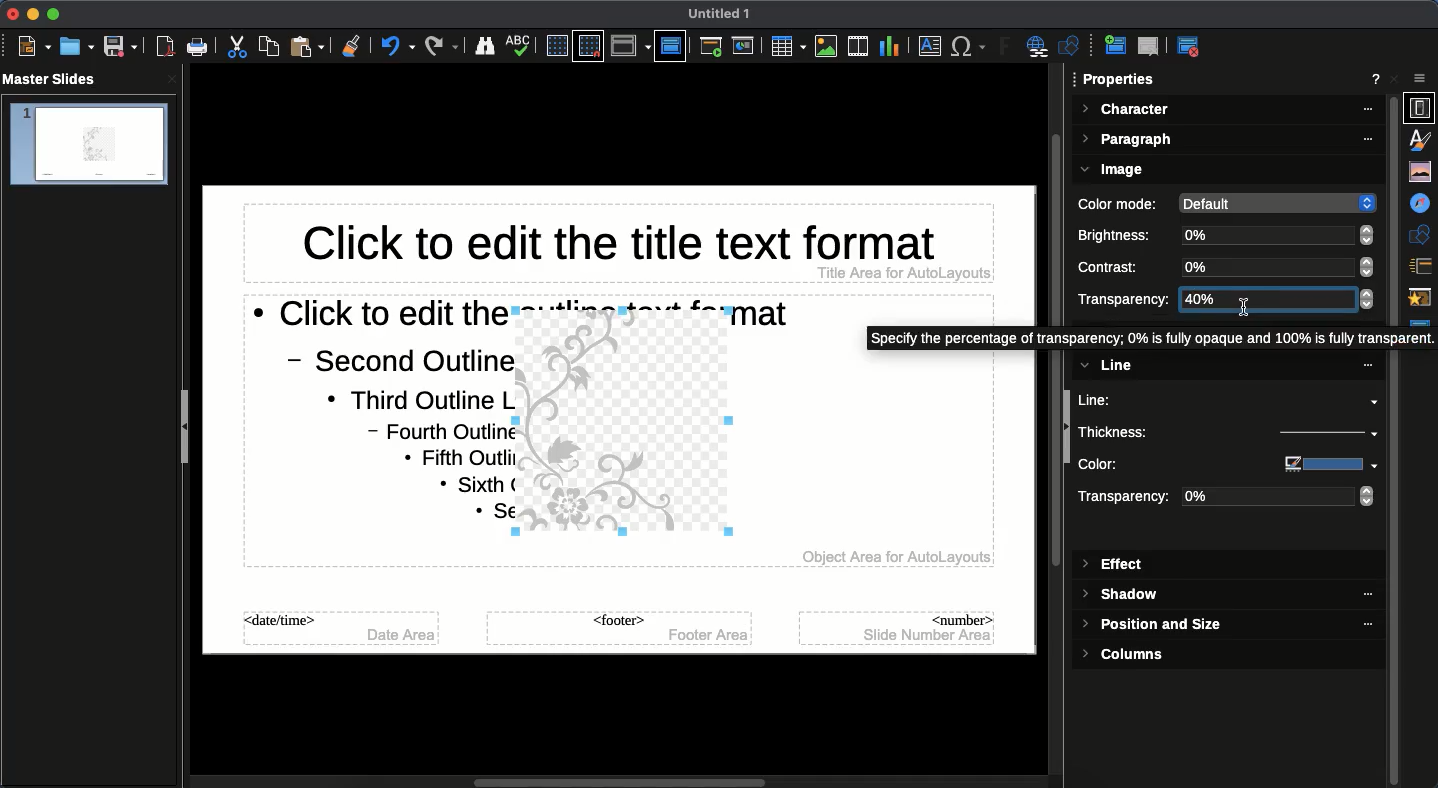 This screenshot has height=788, width=1438. What do you see at coordinates (75, 46) in the screenshot?
I see `Open` at bounding box center [75, 46].